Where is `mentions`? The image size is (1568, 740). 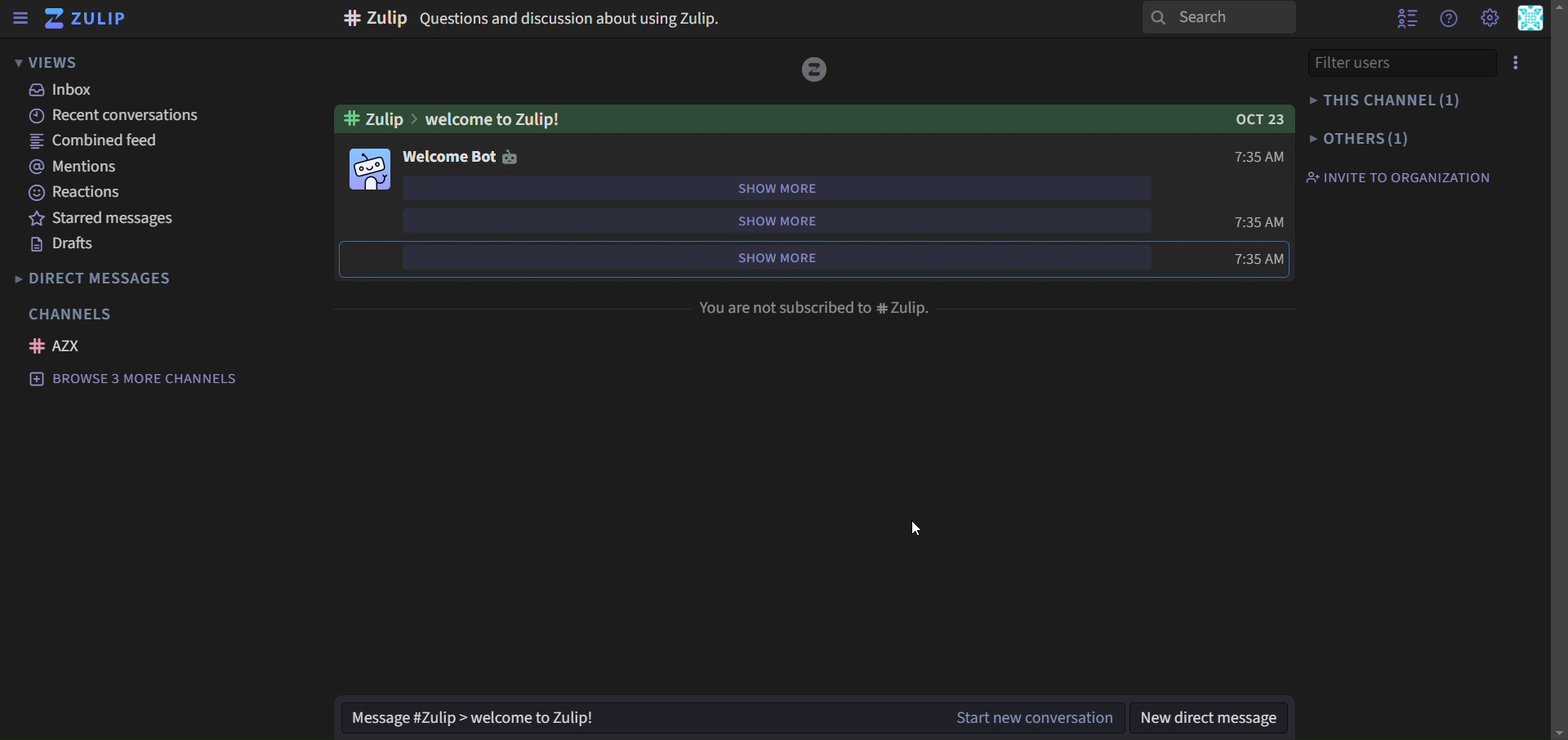
mentions is located at coordinates (75, 168).